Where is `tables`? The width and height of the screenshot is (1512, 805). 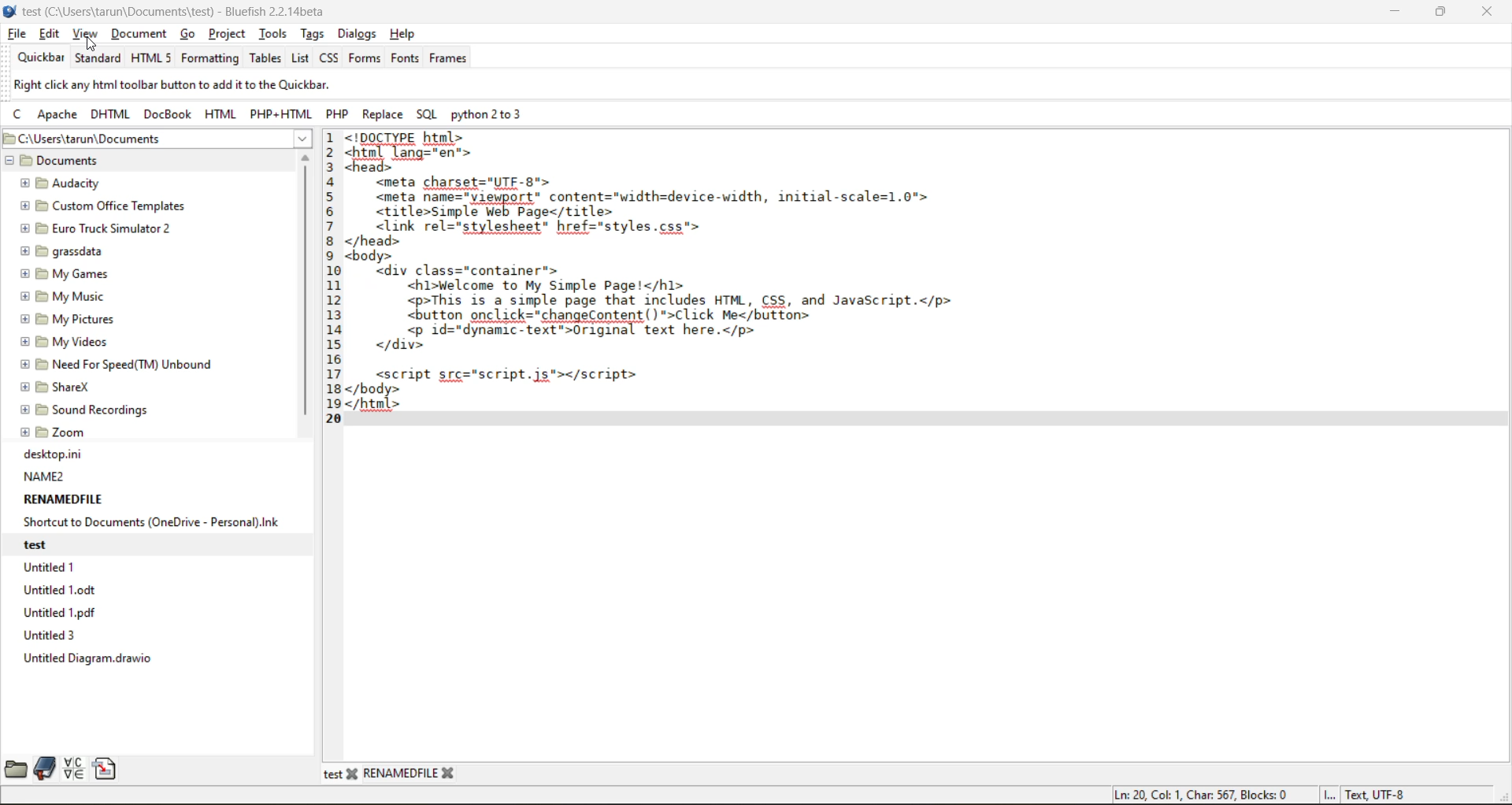
tables is located at coordinates (264, 58).